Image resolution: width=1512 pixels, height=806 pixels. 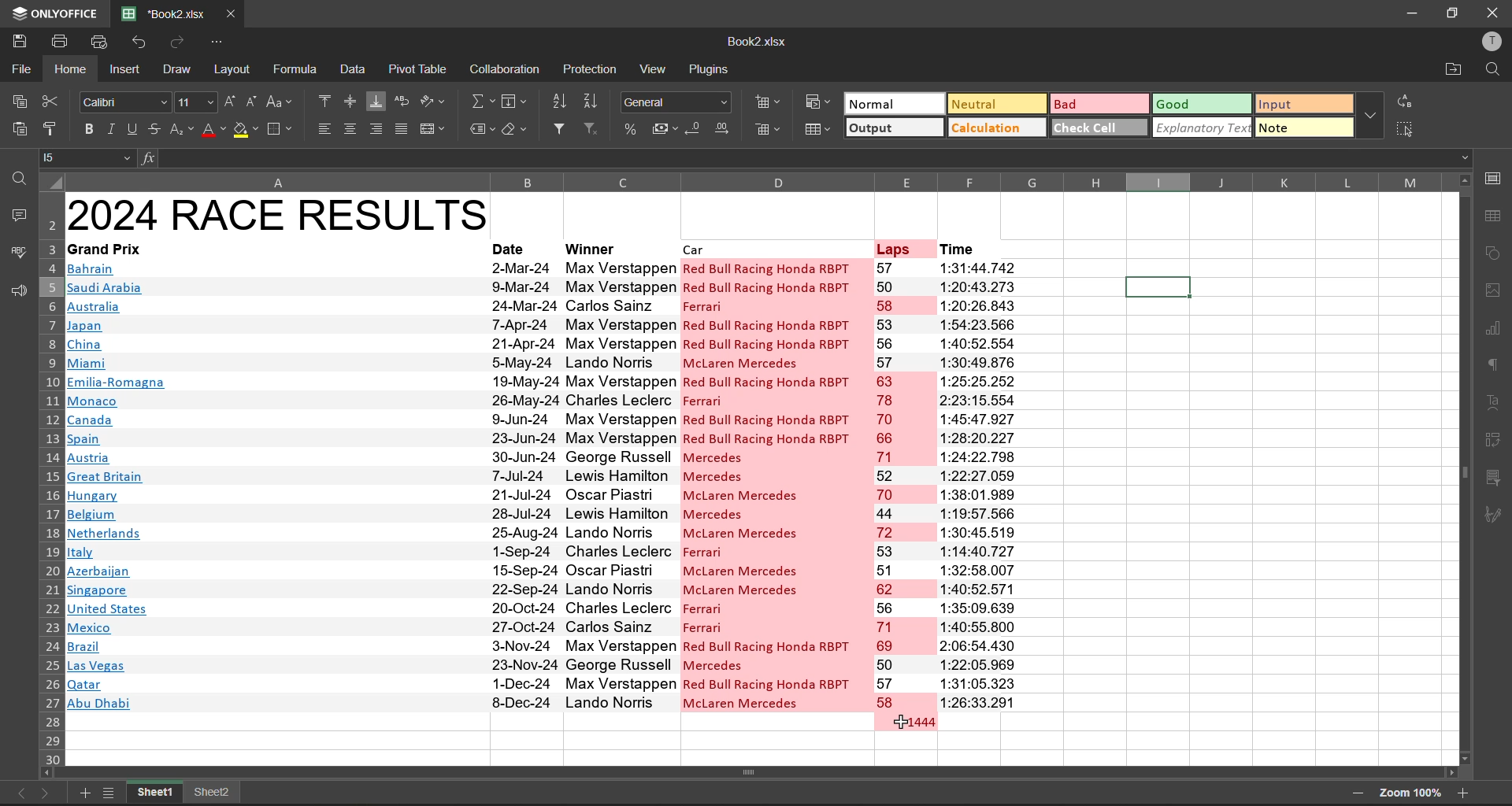 What do you see at coordinates (1450, 12) in the screenshot?
I see `maximize` at bounding box center [1450, 12].